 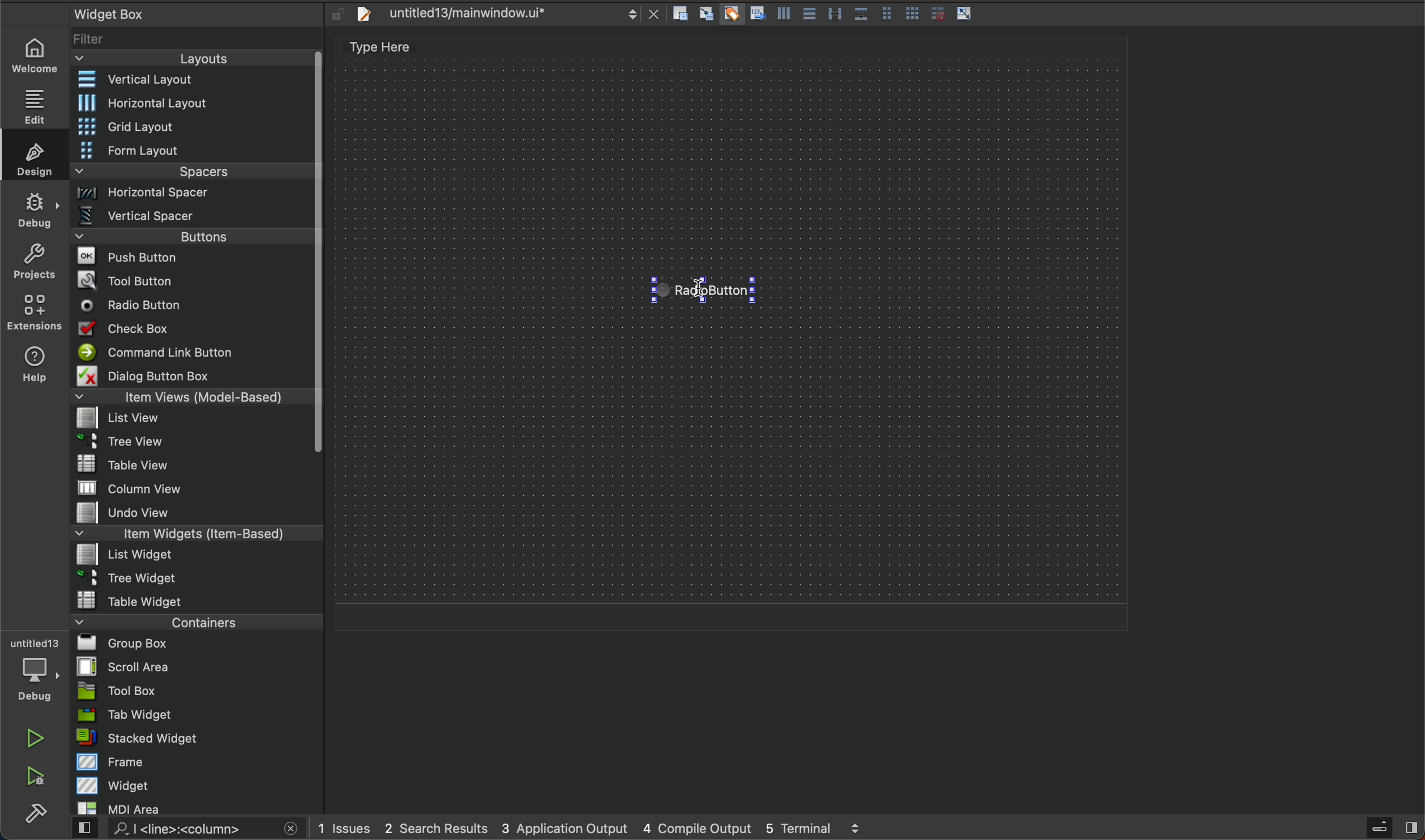 What do you see at coordinates (198, 642) in the screenshot?
I see `group box` at bounding box center [198, 642].